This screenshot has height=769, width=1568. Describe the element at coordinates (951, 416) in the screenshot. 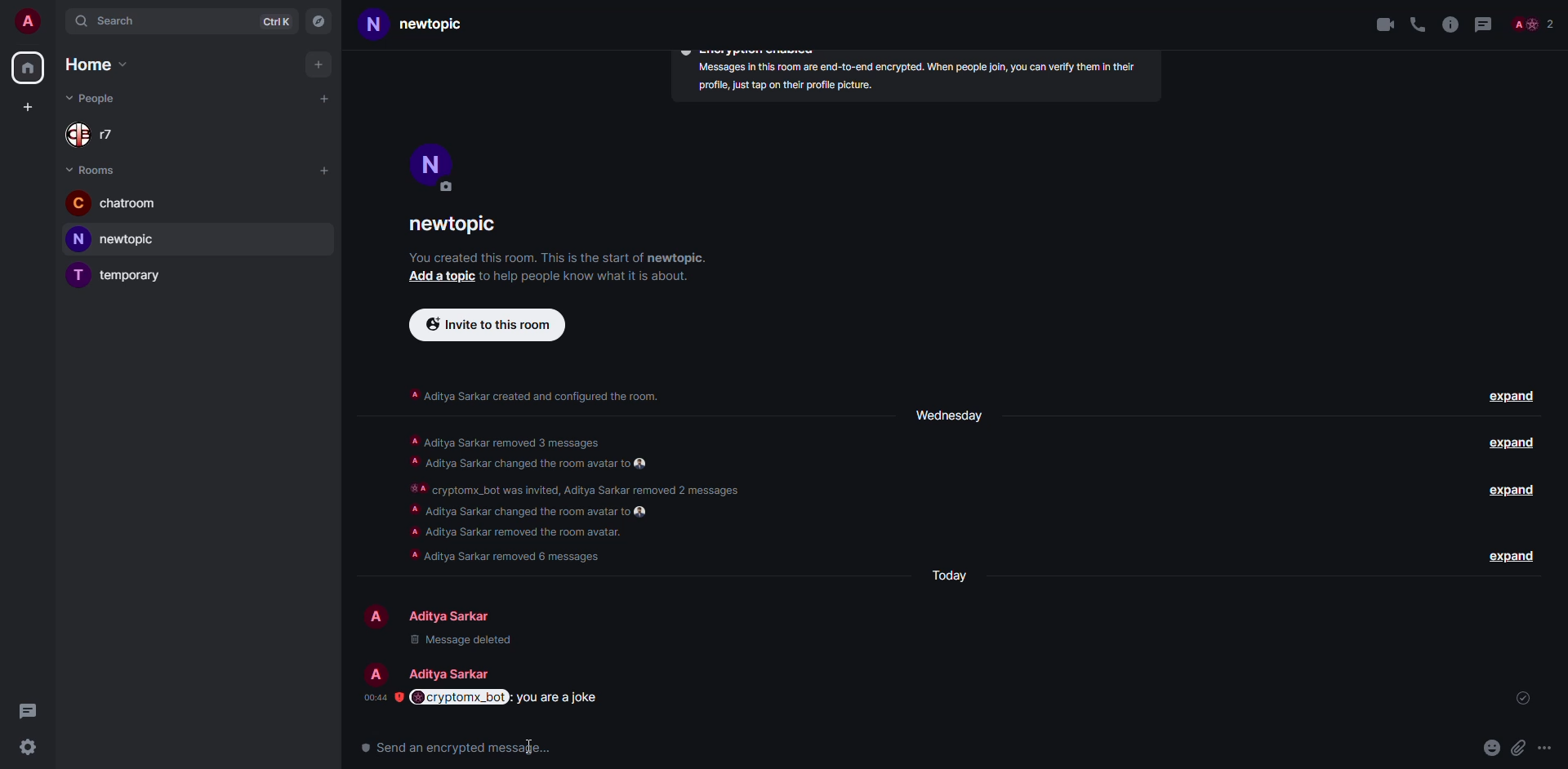

I see `day` at that location.